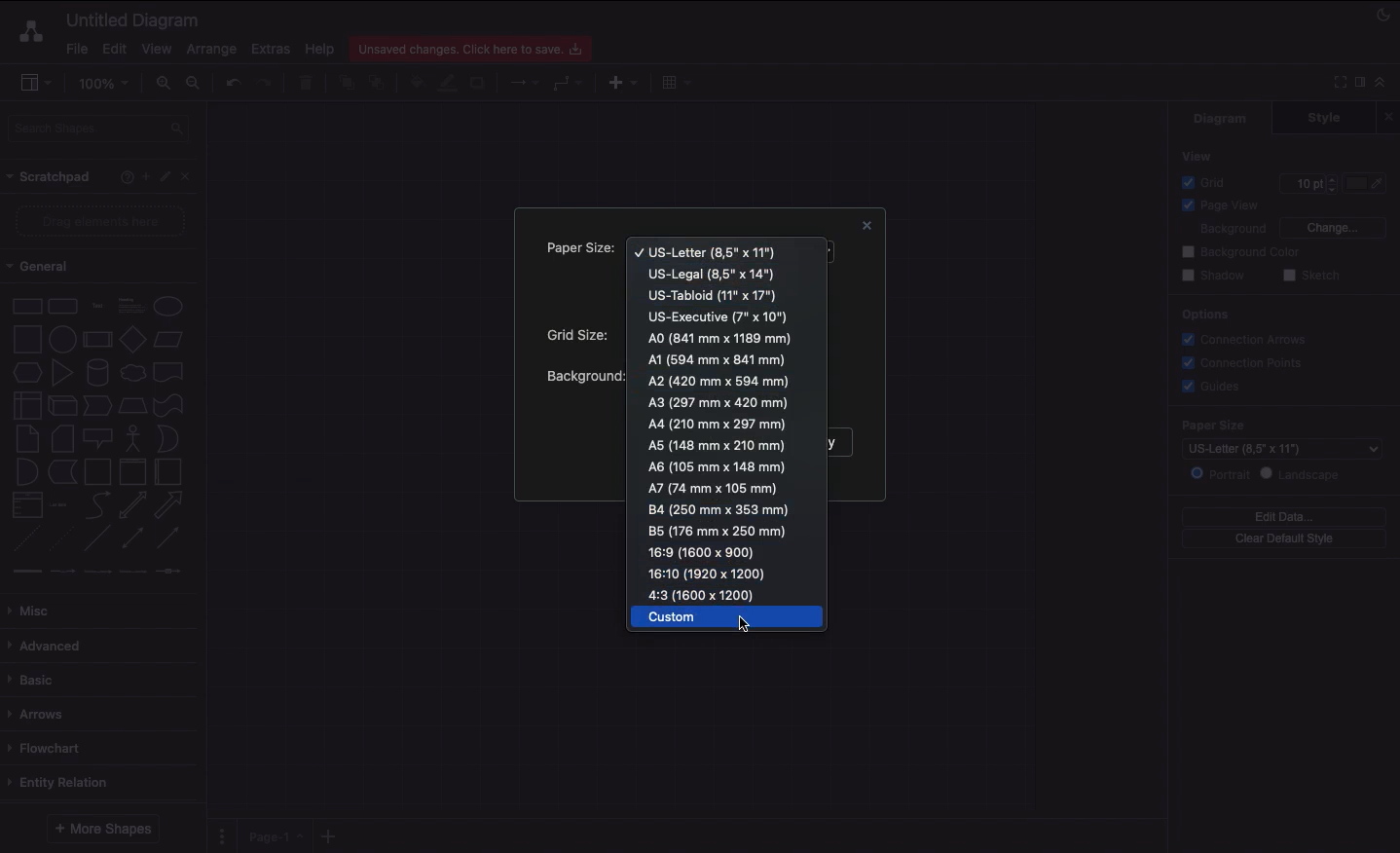 The image size is (1400, 853). Describe the element at coordinates (62, 473) in the screenshot. I see `Data storage` at that location.